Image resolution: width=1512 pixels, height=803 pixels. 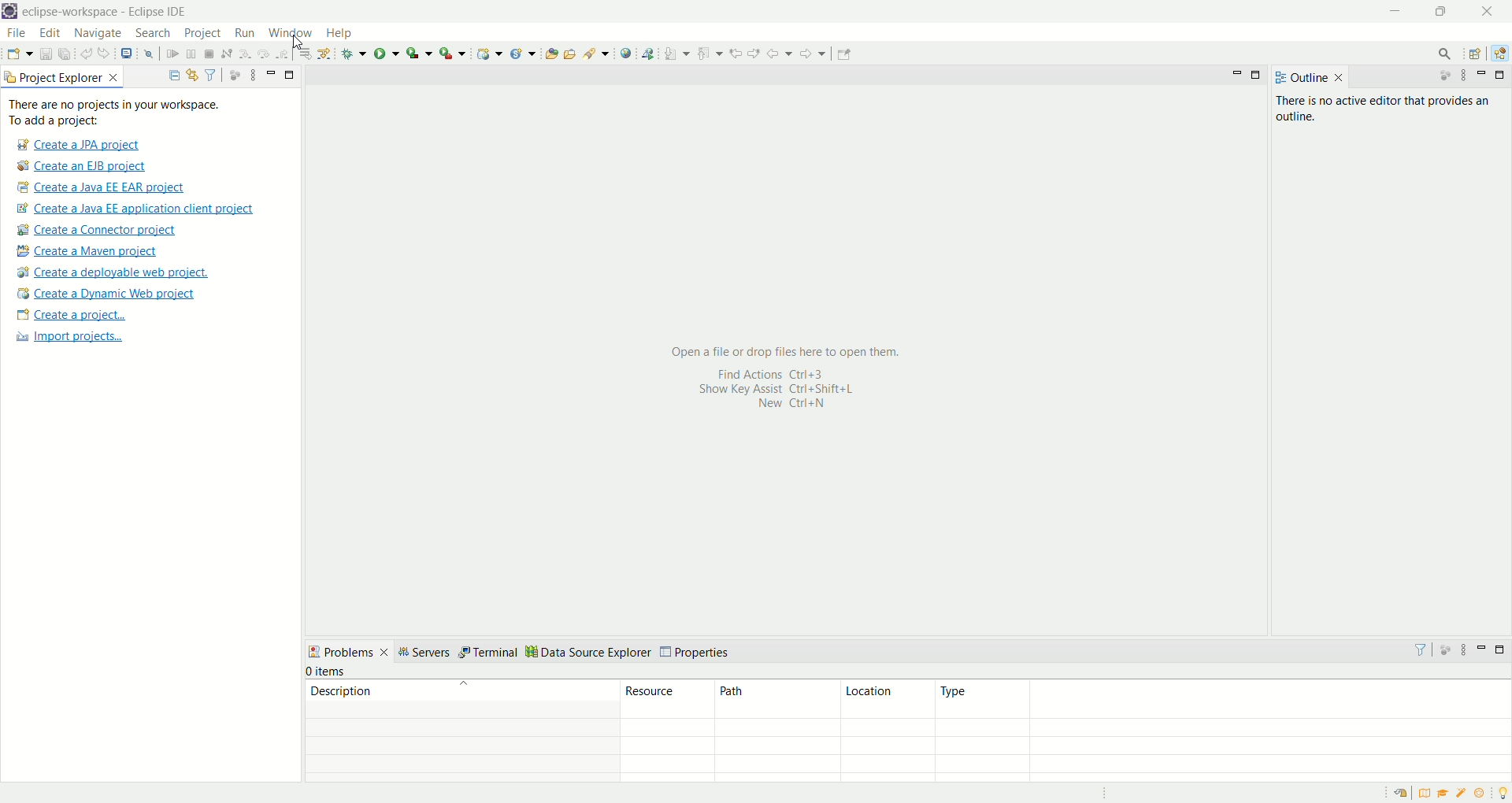 I want to click on minimize, so click(x=271, y=72).